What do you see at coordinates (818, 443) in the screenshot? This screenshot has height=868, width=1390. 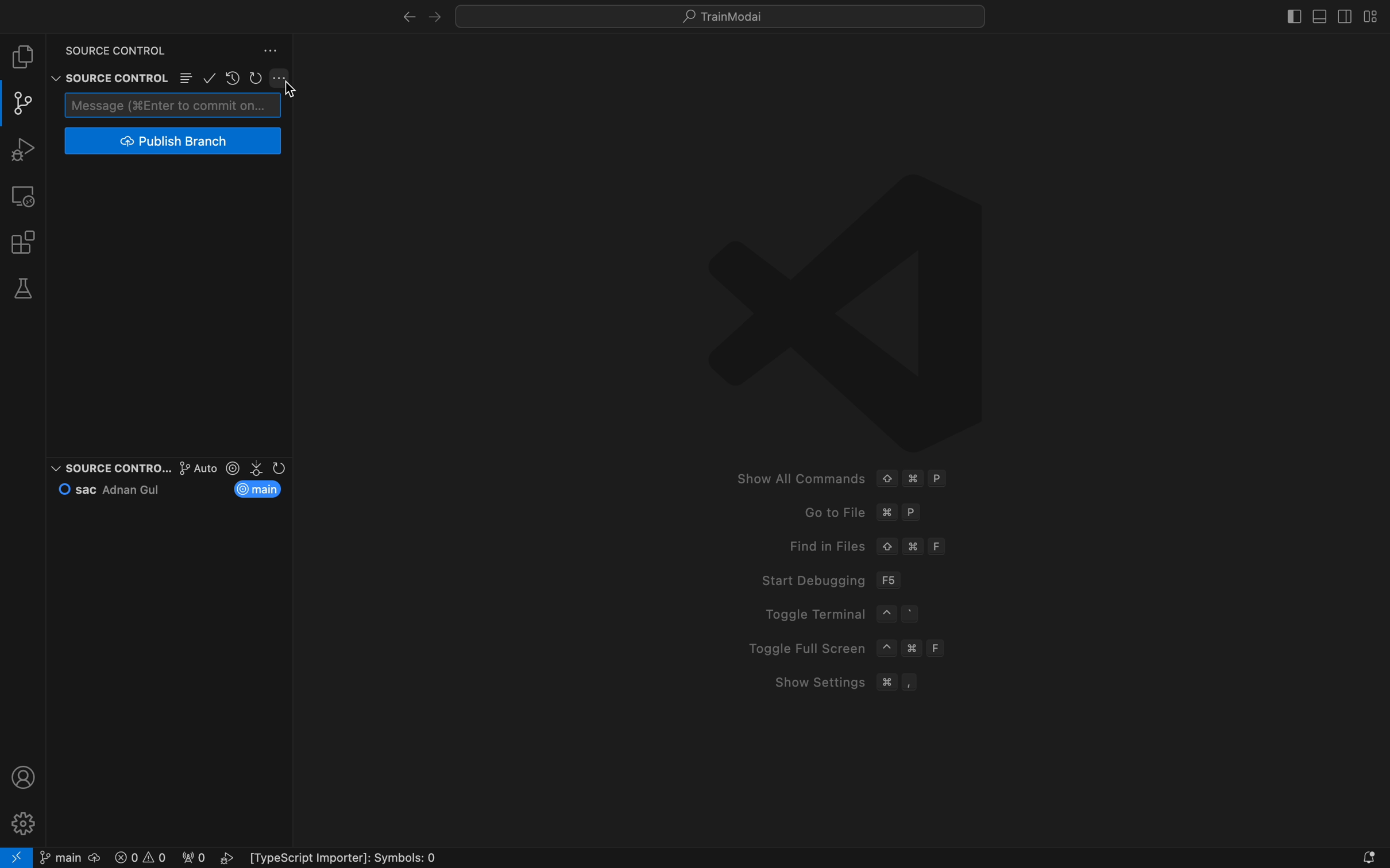 I see `welcome screen` at bounding box center [818, 443].